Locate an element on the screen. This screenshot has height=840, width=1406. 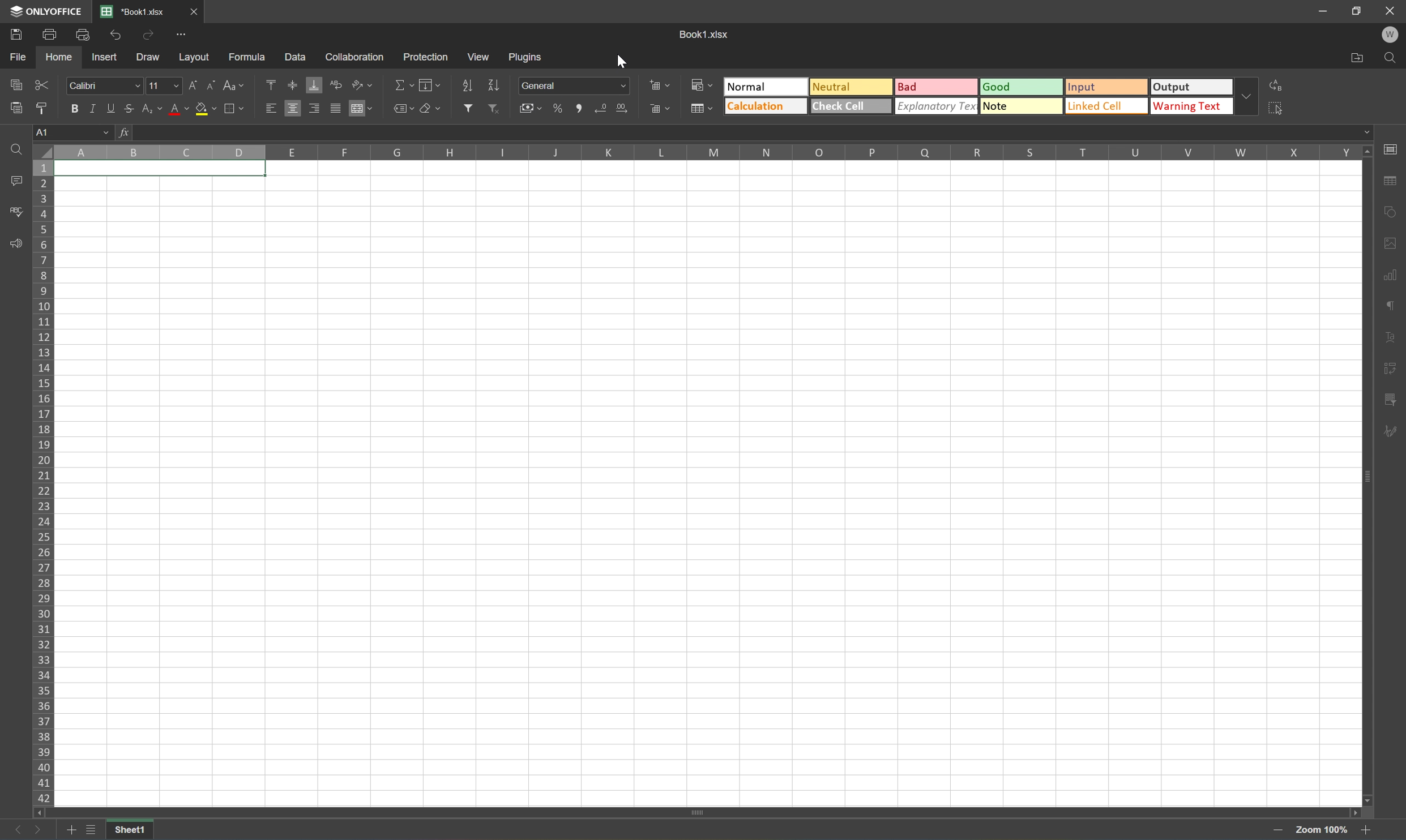
Font color is located at coordinates (178, 109).